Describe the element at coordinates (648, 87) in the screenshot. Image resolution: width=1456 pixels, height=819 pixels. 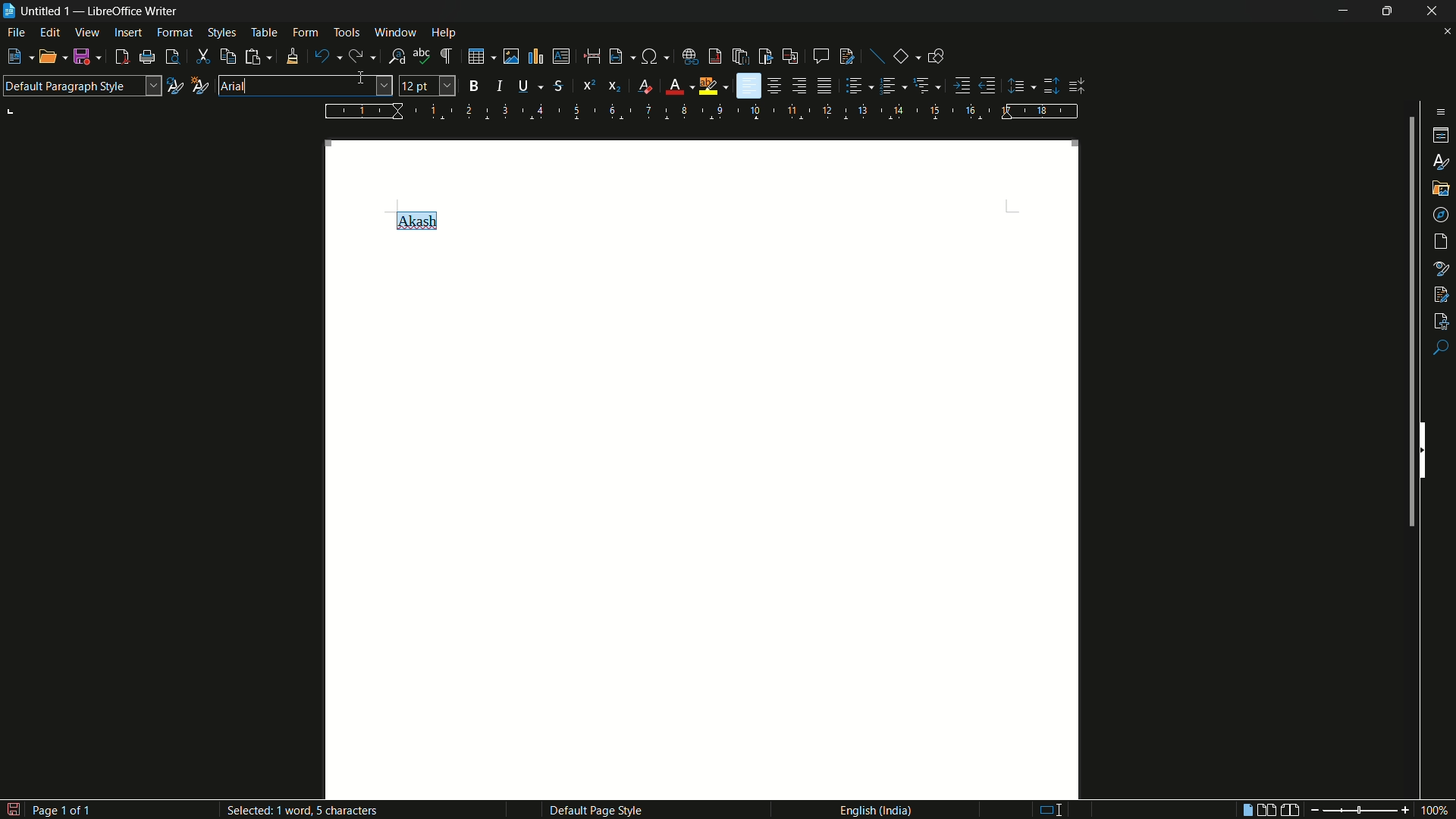
I see `clear direct formatting` at that location.